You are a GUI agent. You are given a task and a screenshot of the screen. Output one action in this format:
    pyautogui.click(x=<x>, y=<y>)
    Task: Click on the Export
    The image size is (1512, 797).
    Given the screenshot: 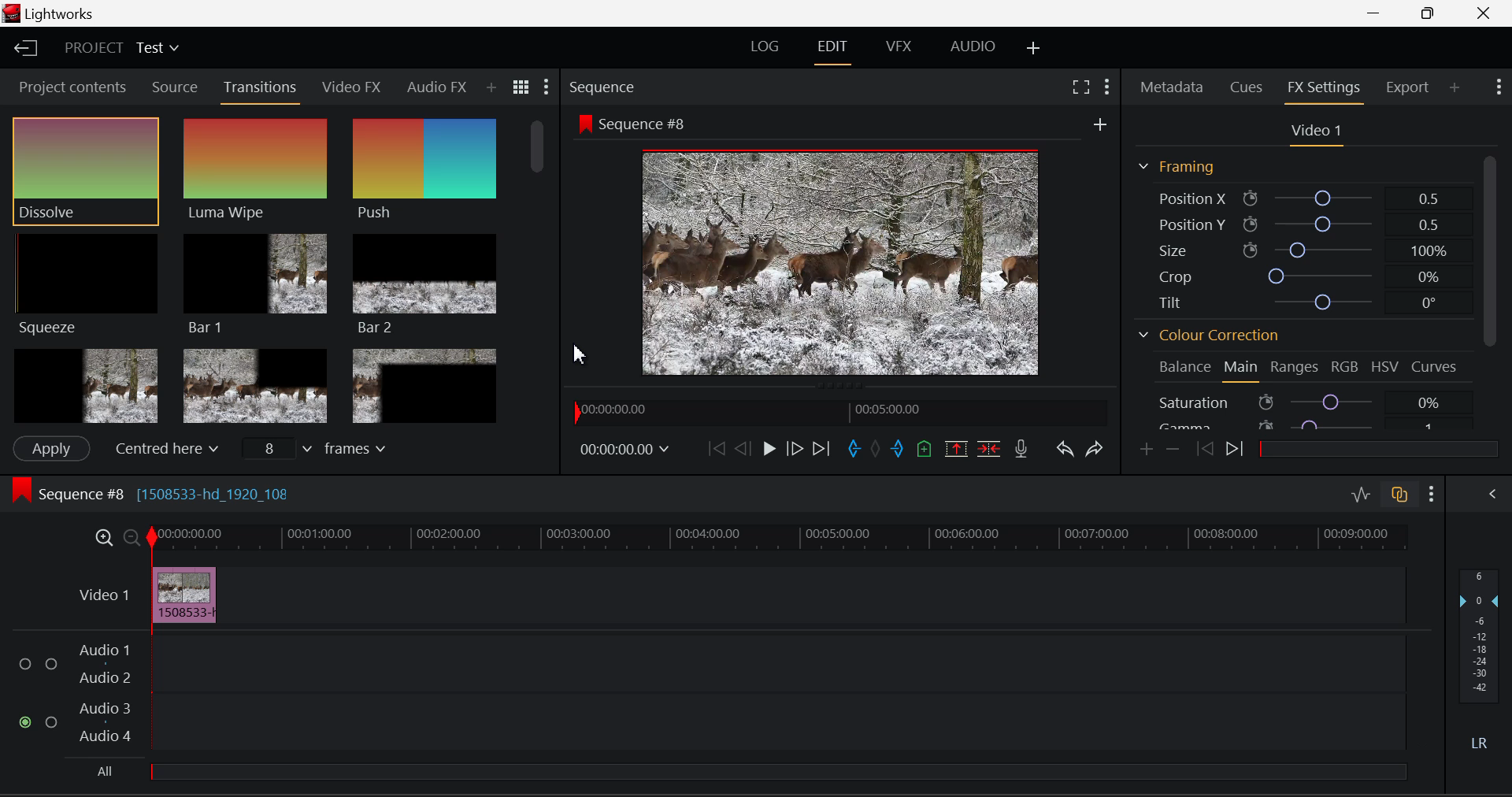 What is the action you would take?
    pyautogui.click(x=1405, y=87)
    